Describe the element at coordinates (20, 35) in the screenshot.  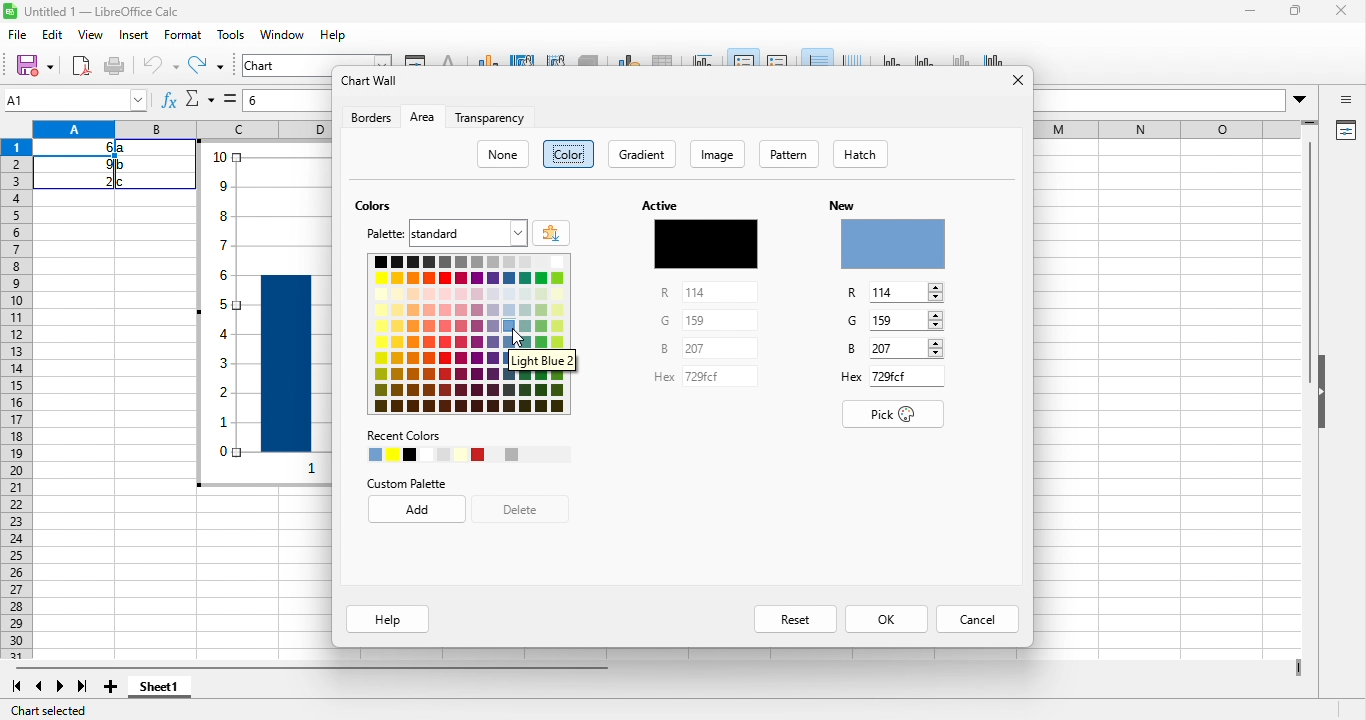
I see `file` at that location.